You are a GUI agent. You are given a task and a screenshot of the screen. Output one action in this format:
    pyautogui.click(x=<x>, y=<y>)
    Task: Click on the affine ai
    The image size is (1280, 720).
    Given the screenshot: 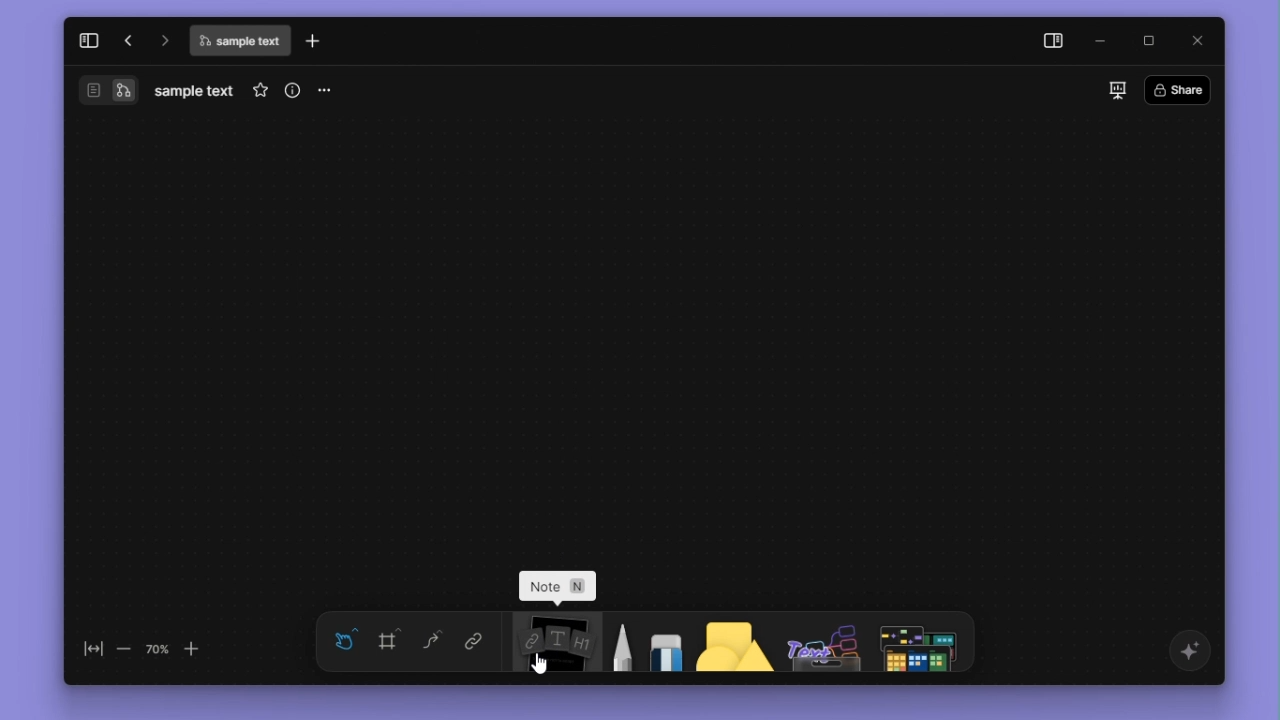 What is the action you would take?
    pyautogui.click(x=1187, y=651)
    